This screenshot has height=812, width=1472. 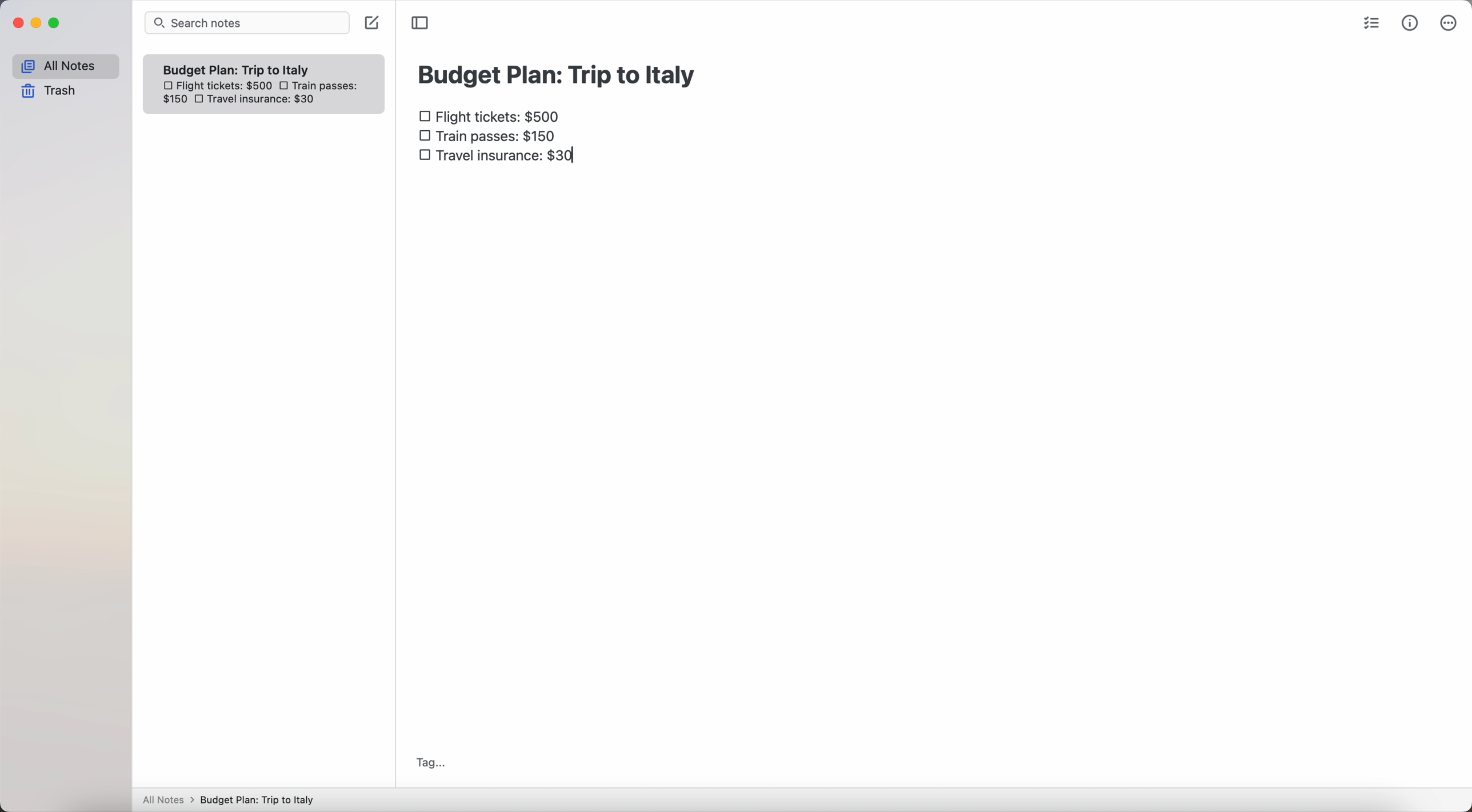 What do you see at coordinates (247, 23) in the screenshot?
I see `search bar` at bounding box center [247, 23].